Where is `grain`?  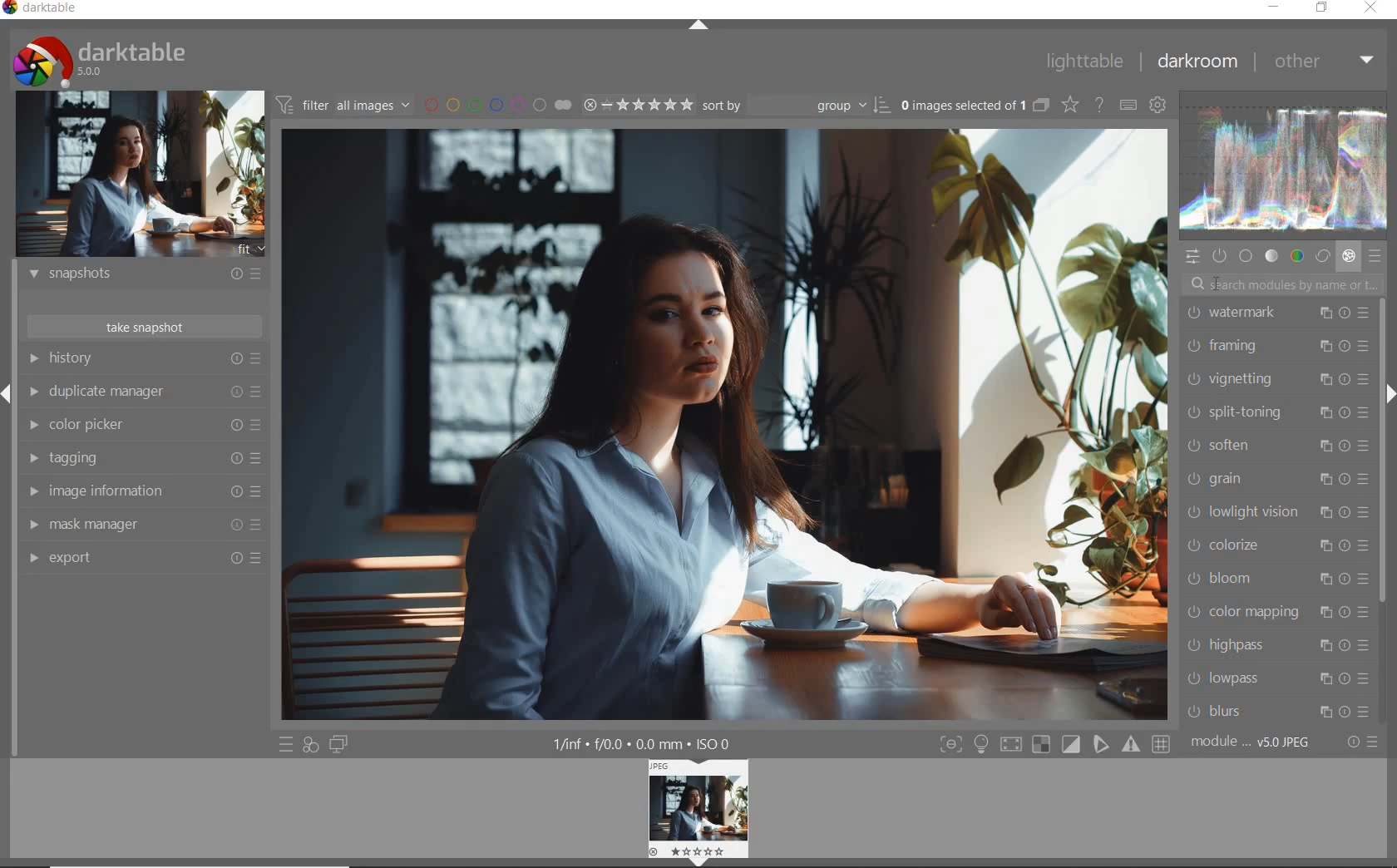 grain is located at coordinates (1279, 479).